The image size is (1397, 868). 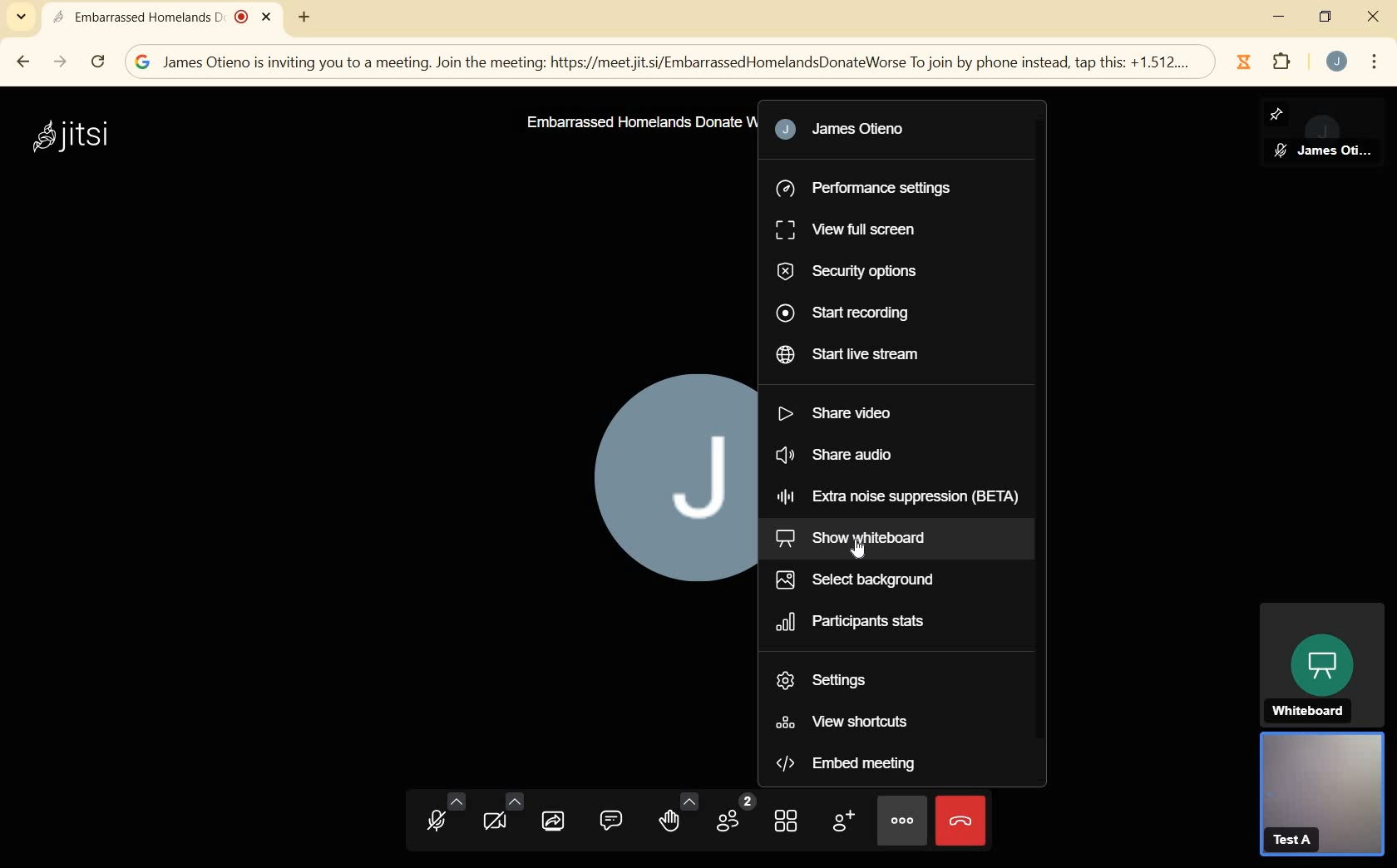 What do you see at coordinates (870, 185) in the screenshot?
I see `PERFORMANCE SETTINGS` at bounding box center [870, 185].